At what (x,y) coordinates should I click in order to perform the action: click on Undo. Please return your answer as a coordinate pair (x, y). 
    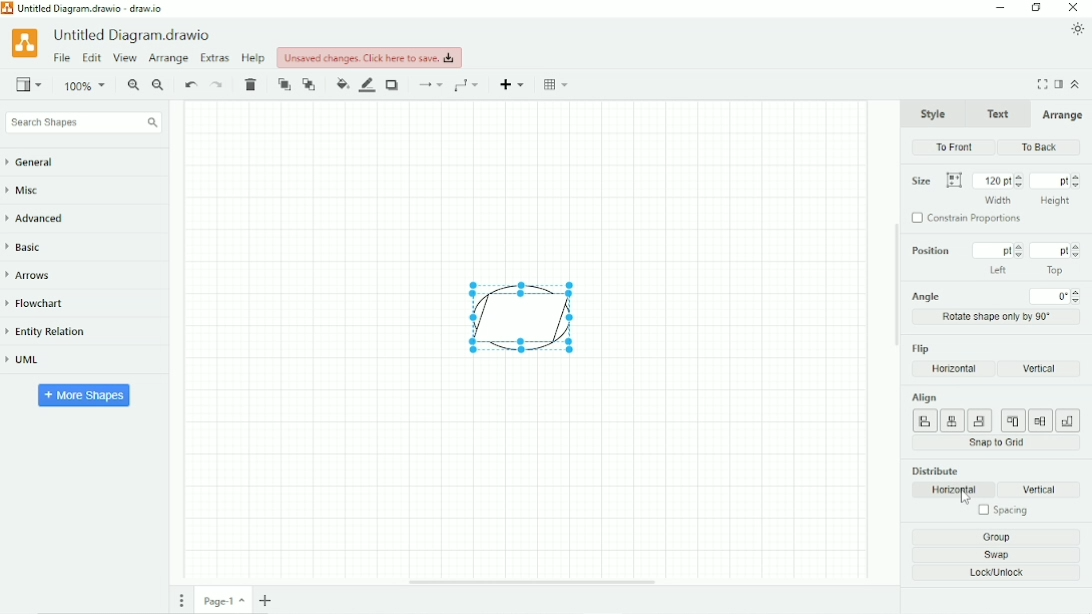
    Looking at the image, I should click on (190, 86).